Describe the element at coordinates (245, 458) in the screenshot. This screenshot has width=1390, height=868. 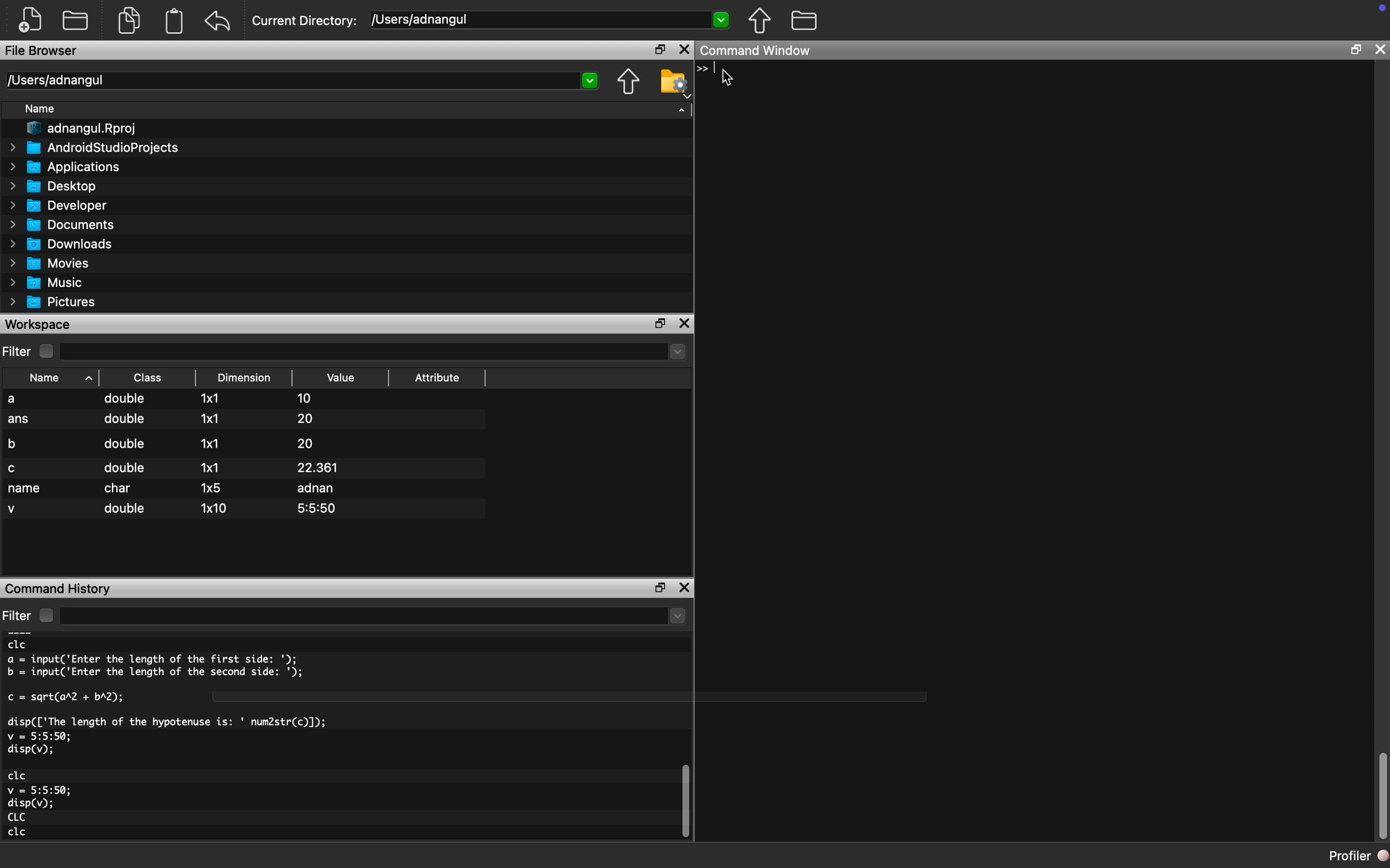
I see `a double 1x1 10
ans double 1x1 20
b double 1x1 20
@ double 1x1 22.361
name char 1x5 adnan
\ double 1x10 5:5:50` at that location.